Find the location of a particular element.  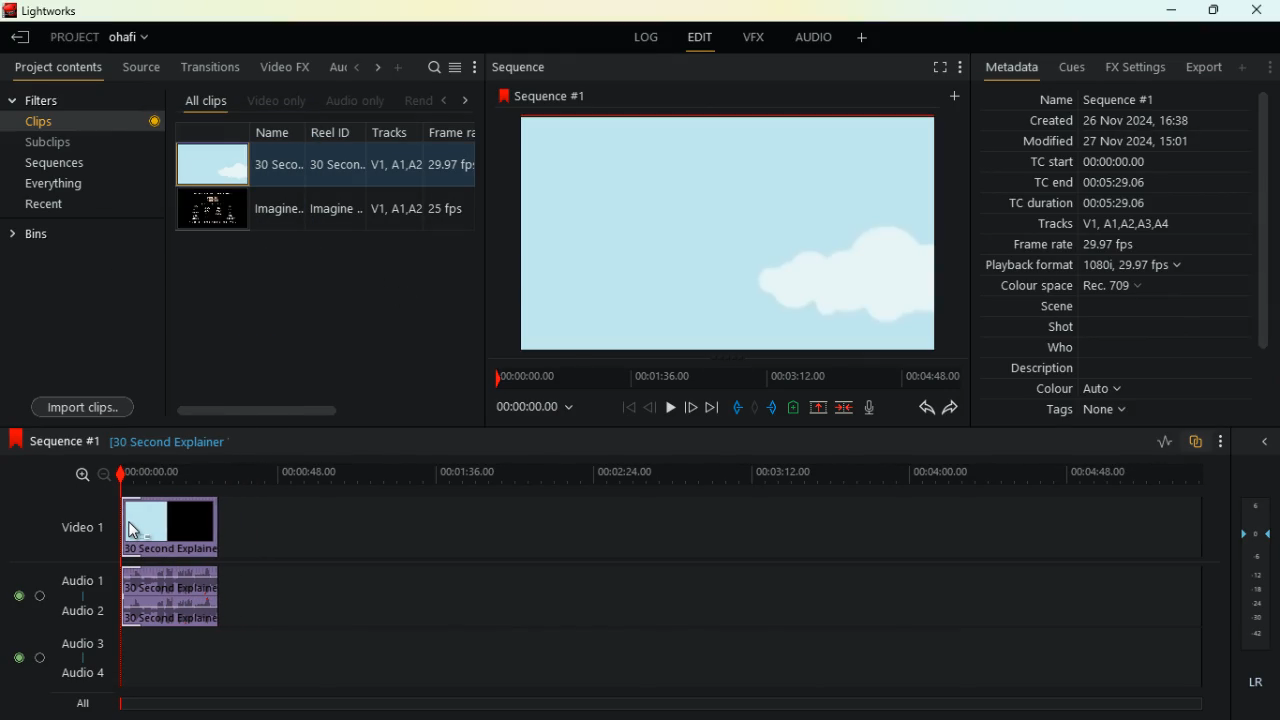

sequence is located at coordinates (548, 97).